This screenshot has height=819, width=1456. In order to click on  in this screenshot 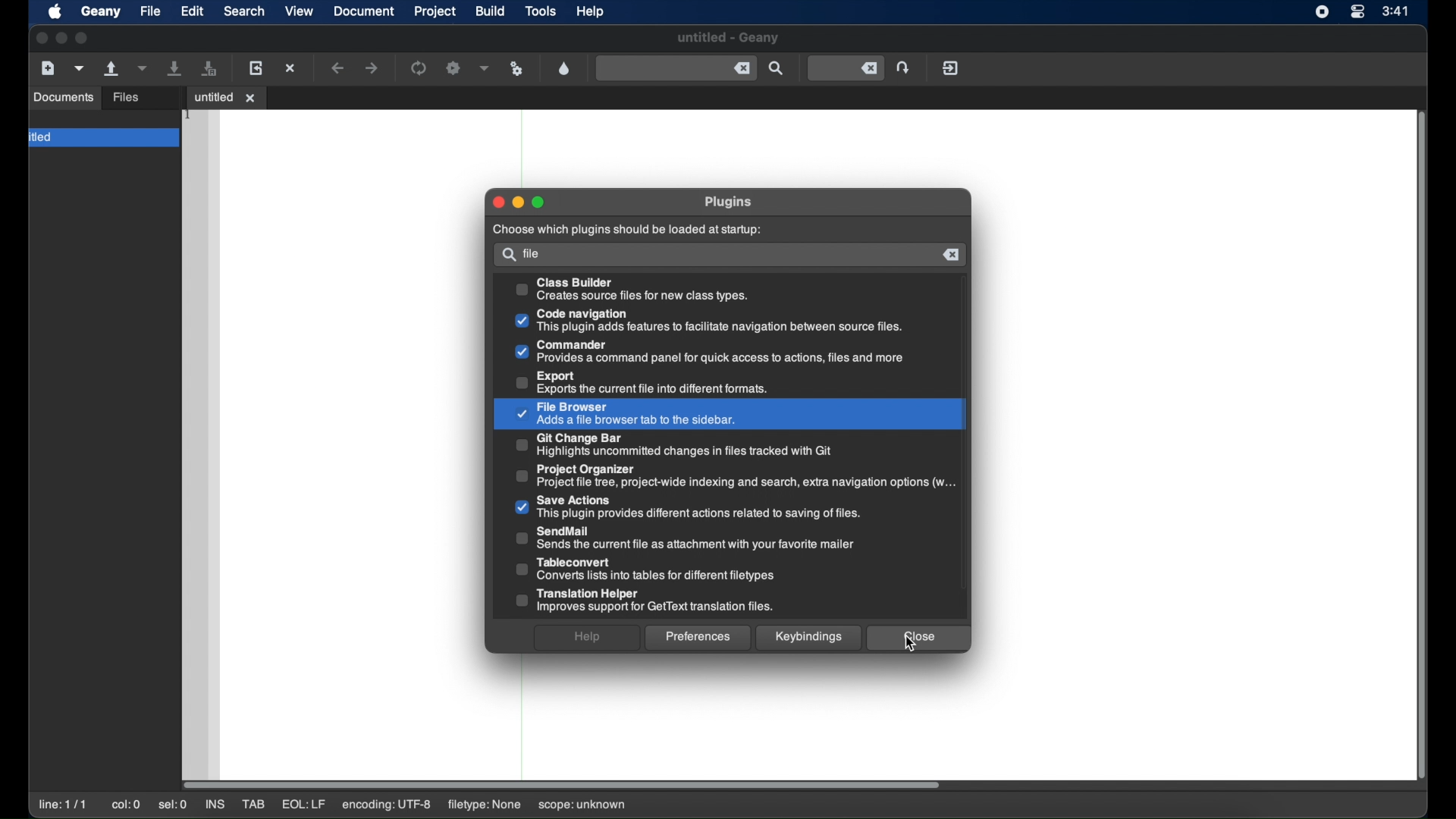, I will do `click(588, 639)`.